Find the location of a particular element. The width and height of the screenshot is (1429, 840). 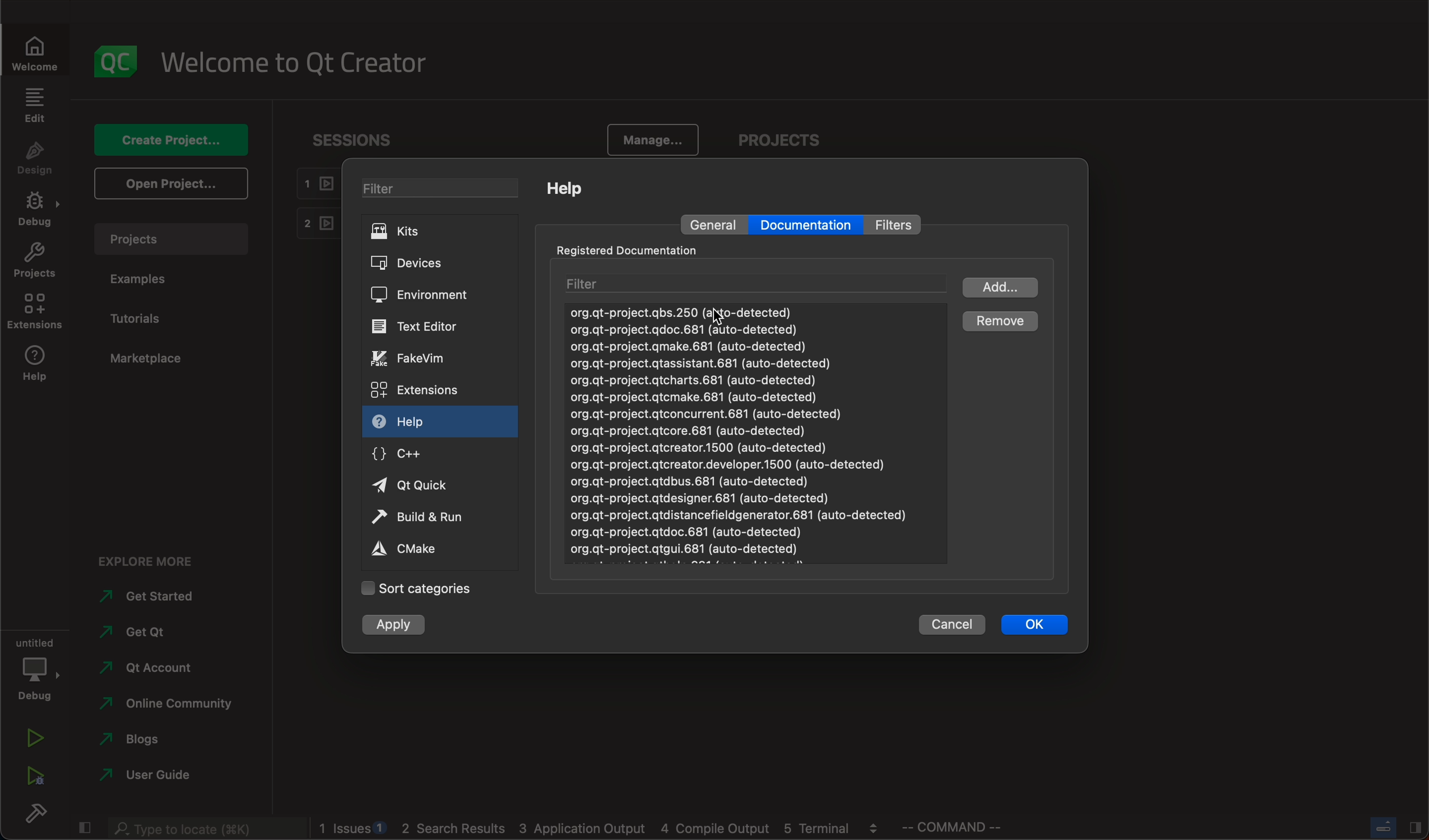

devices is located at coordinates (434, 262).